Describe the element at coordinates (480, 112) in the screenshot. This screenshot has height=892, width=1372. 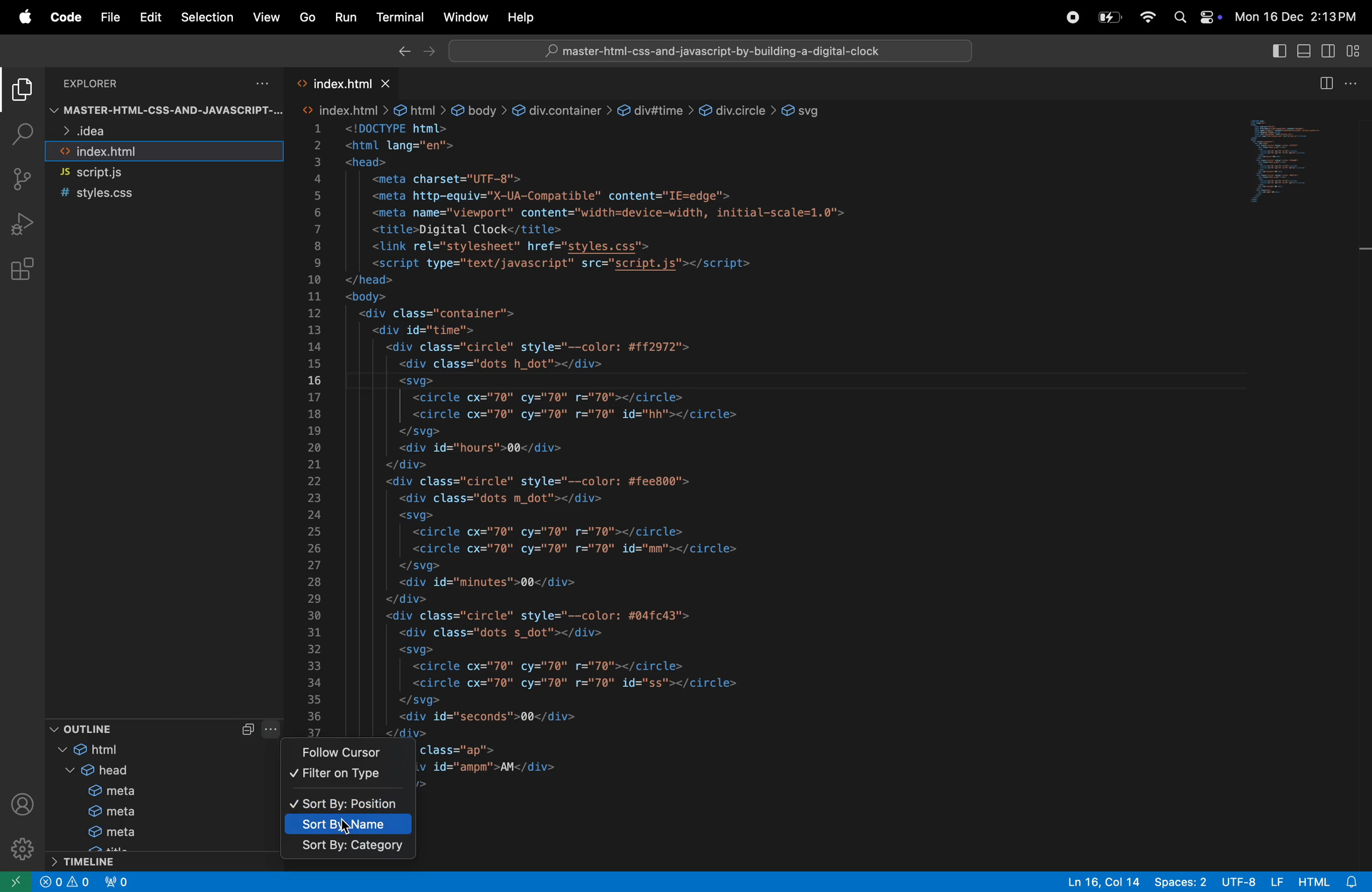
I see `body` at that location.